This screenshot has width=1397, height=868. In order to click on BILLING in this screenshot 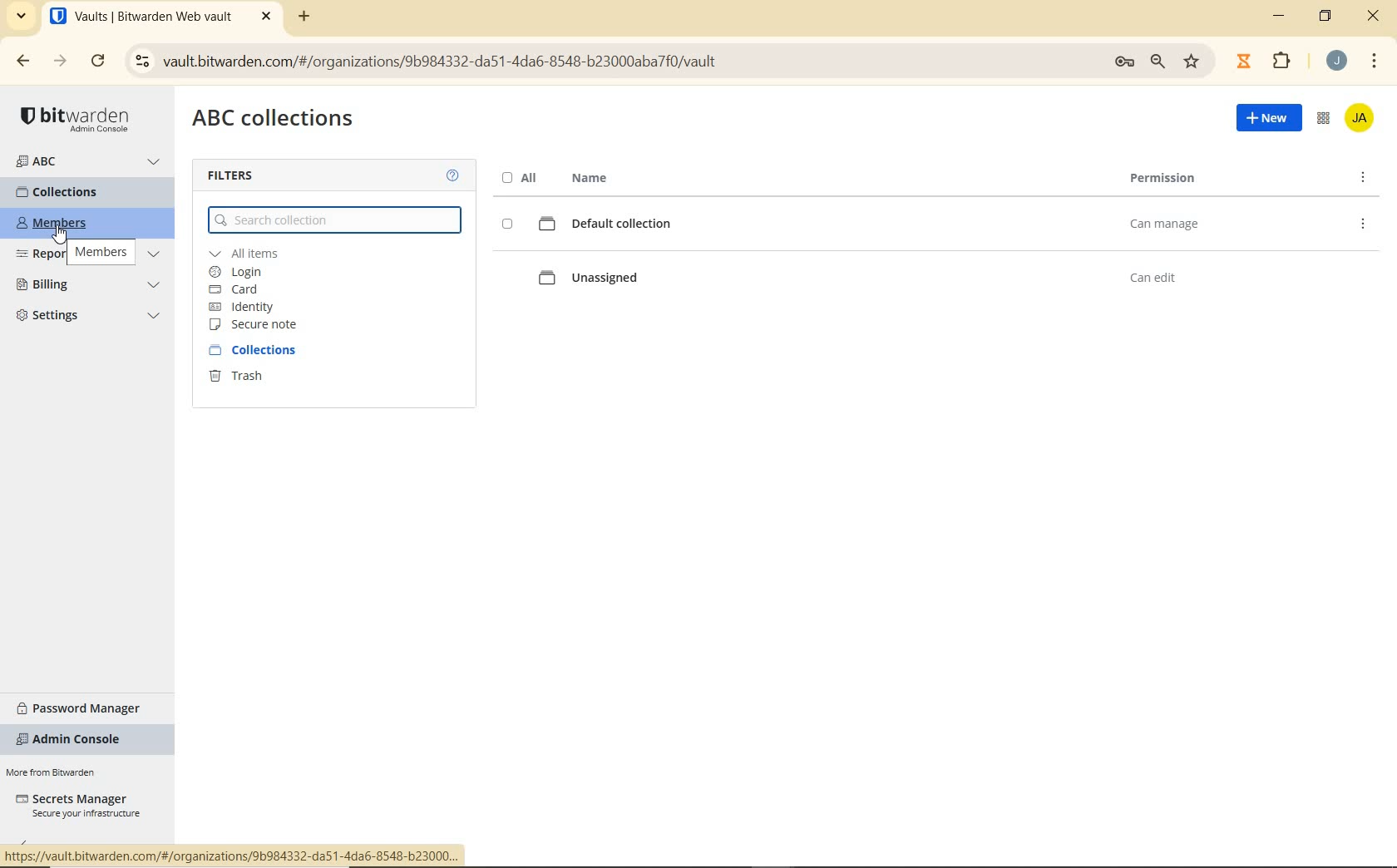, I will do `click(89, 286)`.